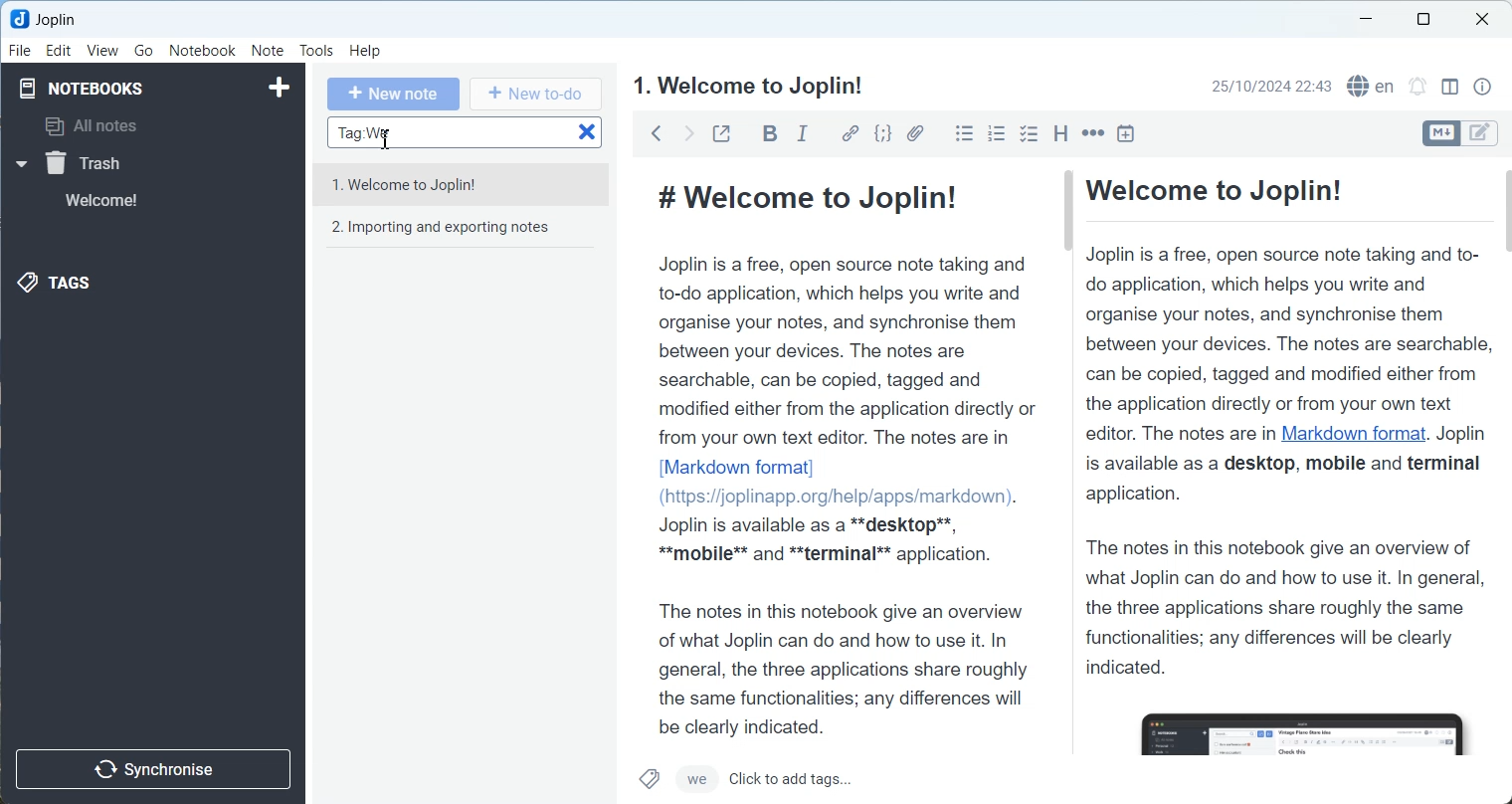 The width and height of the screenshot is (1512, 804). I want to click on notebooks, so click(88, 87).